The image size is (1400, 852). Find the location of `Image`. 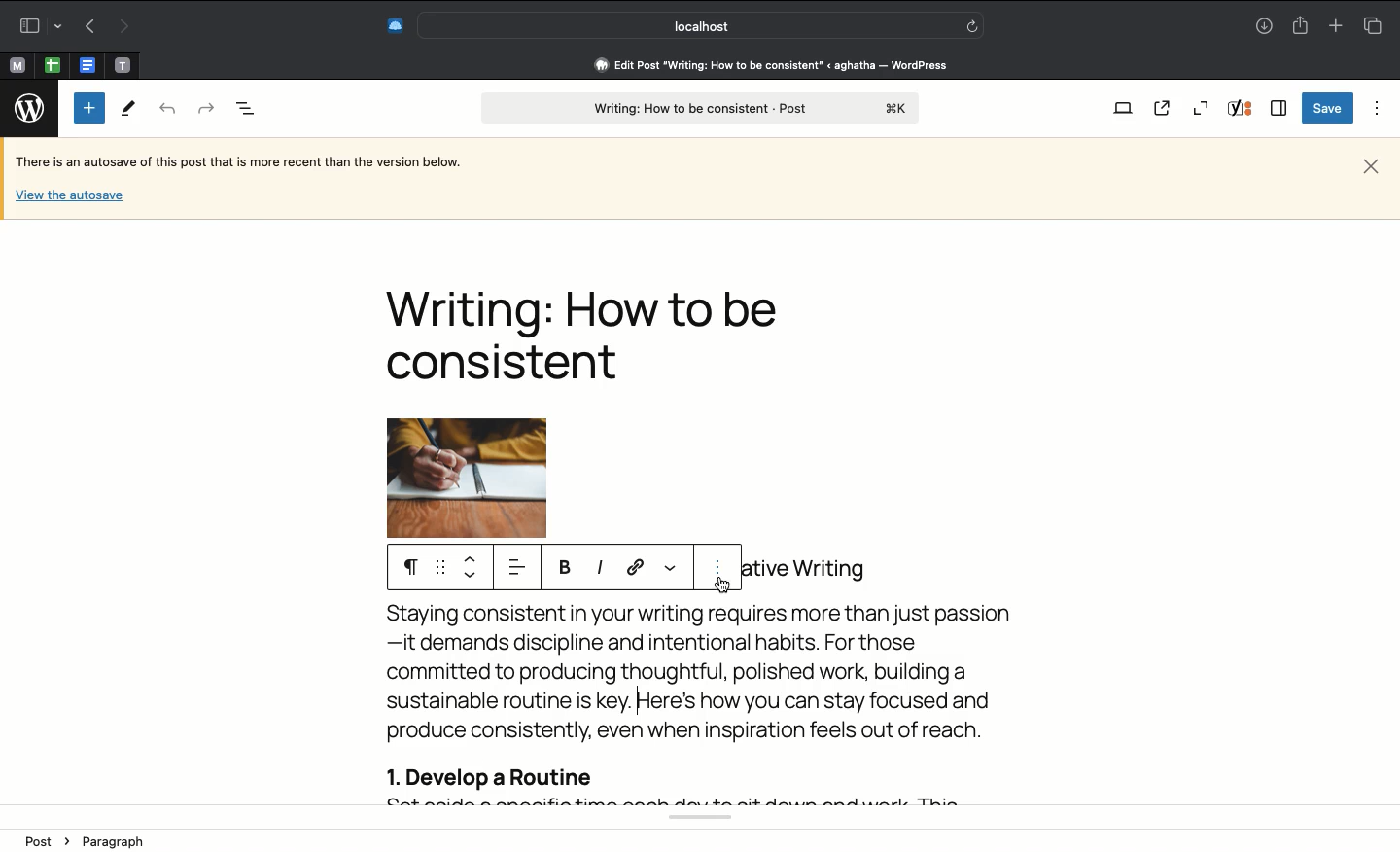

Image is located at coordinates (490, 478).